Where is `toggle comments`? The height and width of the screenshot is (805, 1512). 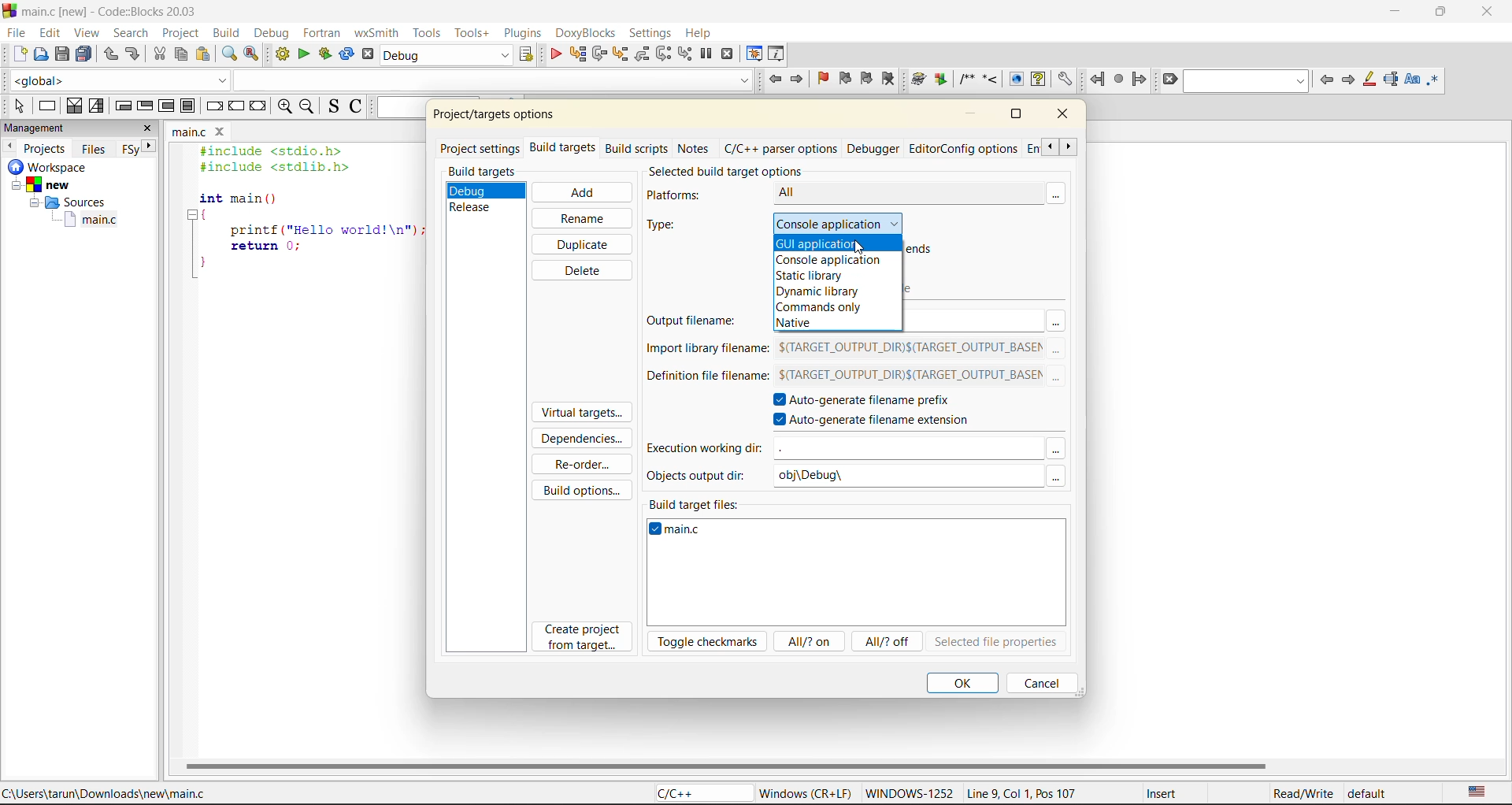 toggle comments is located at coordinates (357, 107).